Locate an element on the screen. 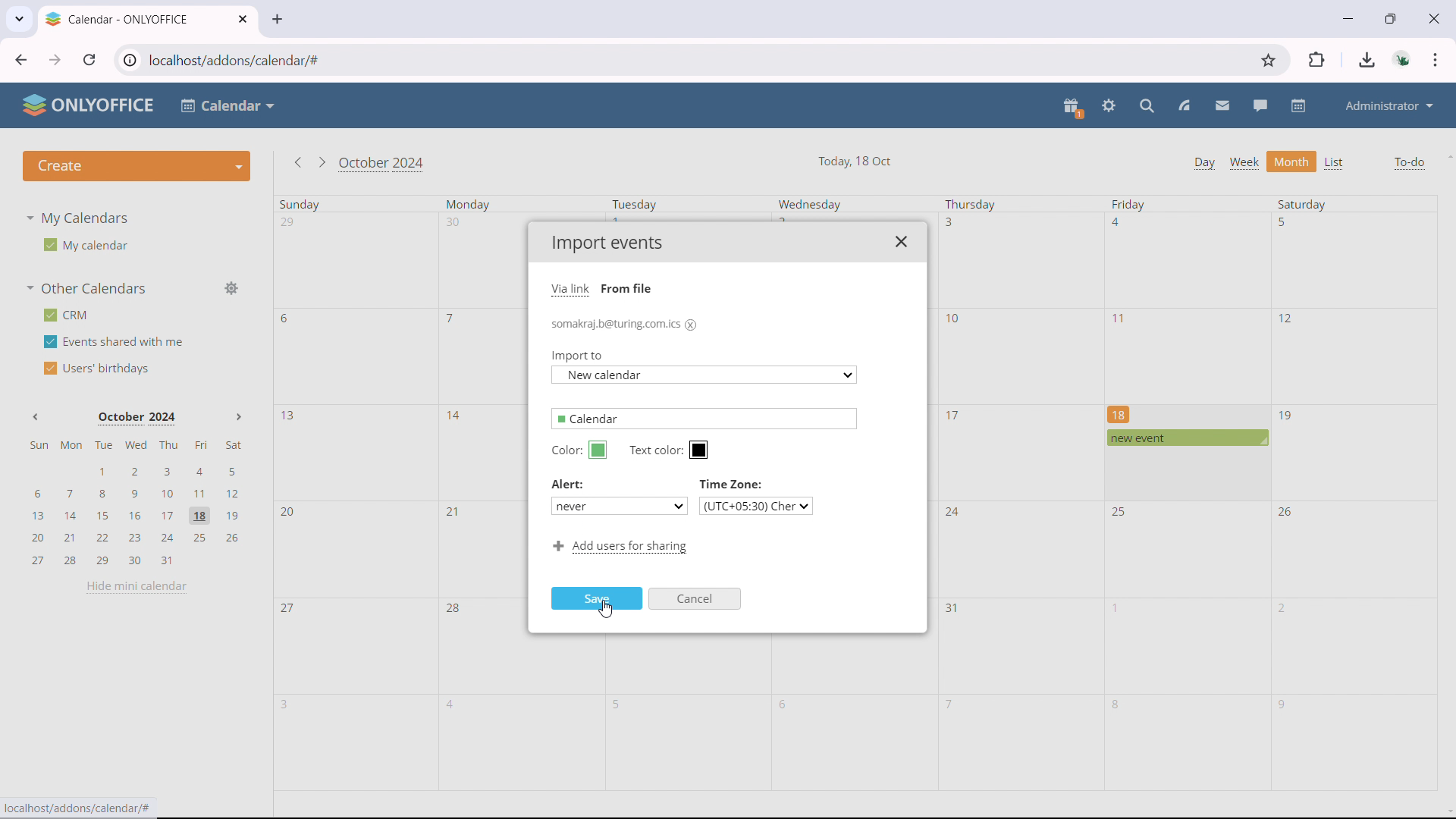 This screenshot has height=819, width=1456. localhost/addons/calendar/# is located at coordinates (247, 60).